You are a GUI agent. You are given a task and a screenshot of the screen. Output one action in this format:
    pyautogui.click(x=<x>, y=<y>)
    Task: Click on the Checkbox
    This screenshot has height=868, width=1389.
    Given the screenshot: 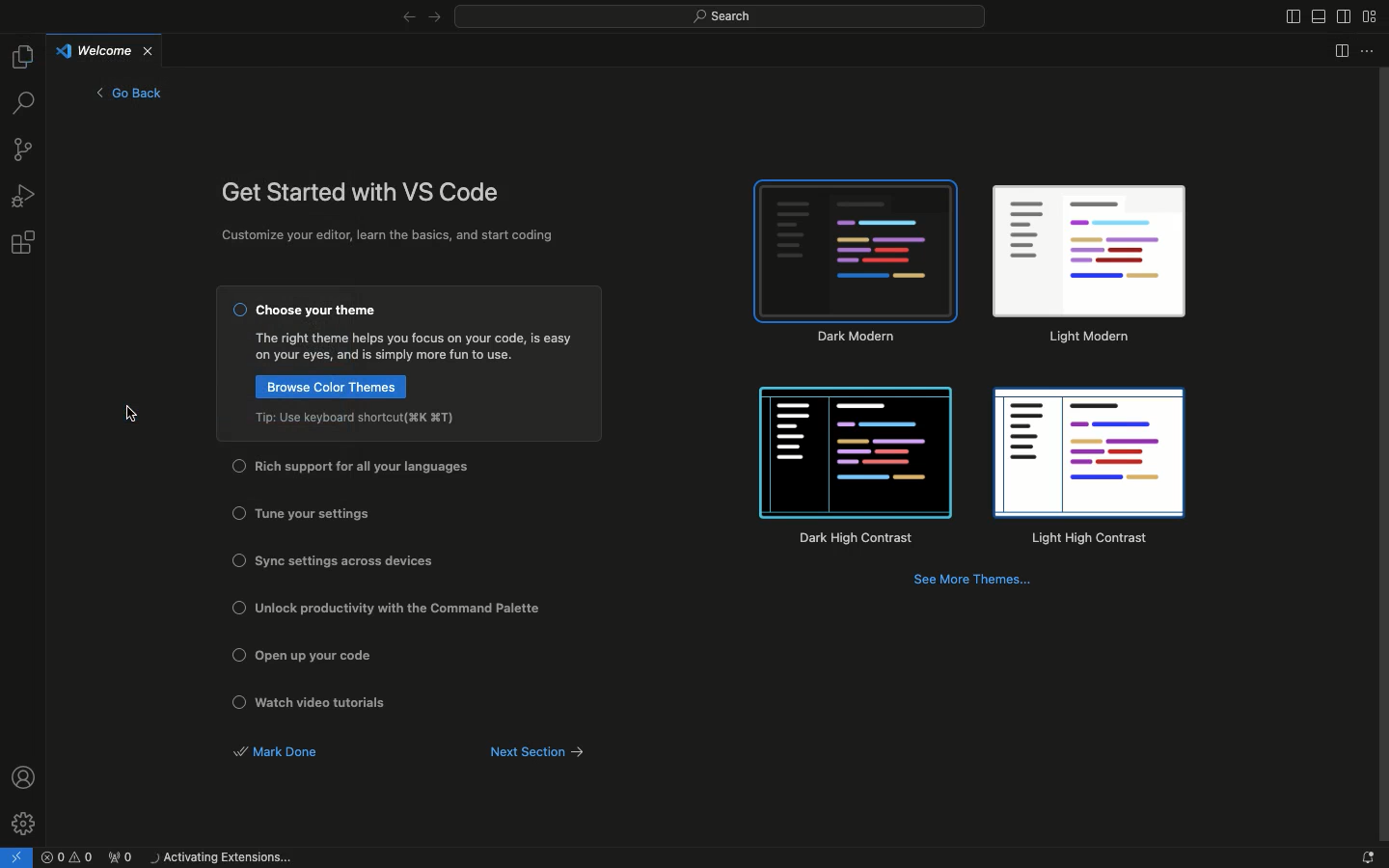 What is the action you would take?
    pyautogui.click(x=239, y=607)
    